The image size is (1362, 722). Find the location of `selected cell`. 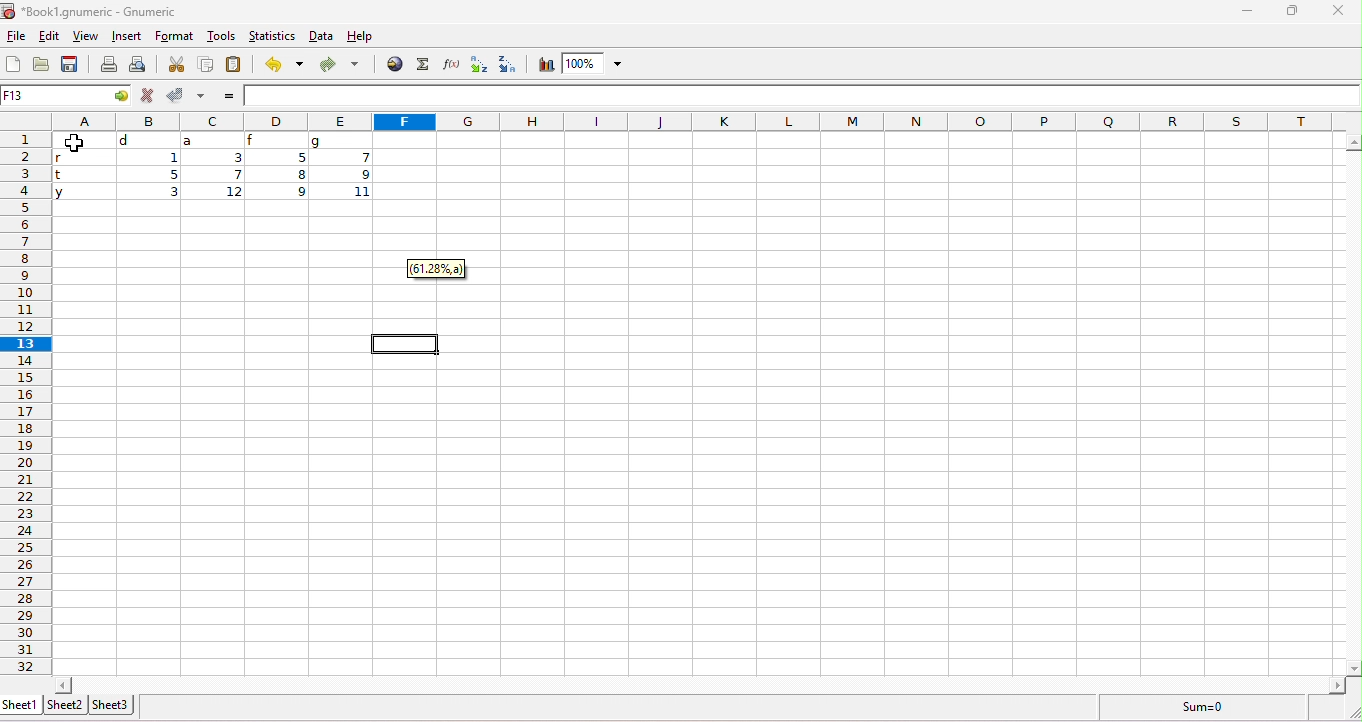

selected cell is located at coordinates (404, 344).